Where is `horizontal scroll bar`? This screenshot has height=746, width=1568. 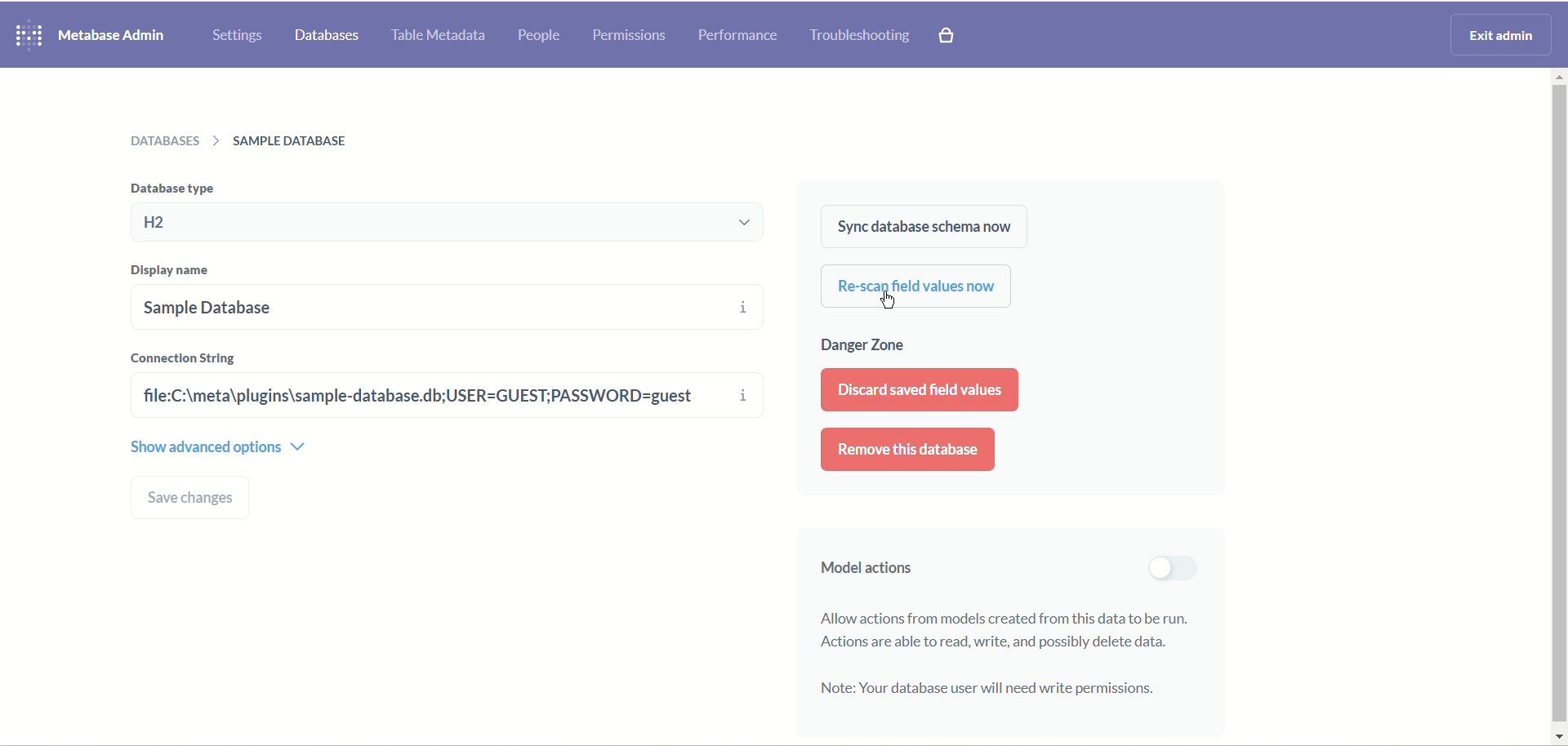
horizontal scroll bar is located at coordinates (1558, 405).